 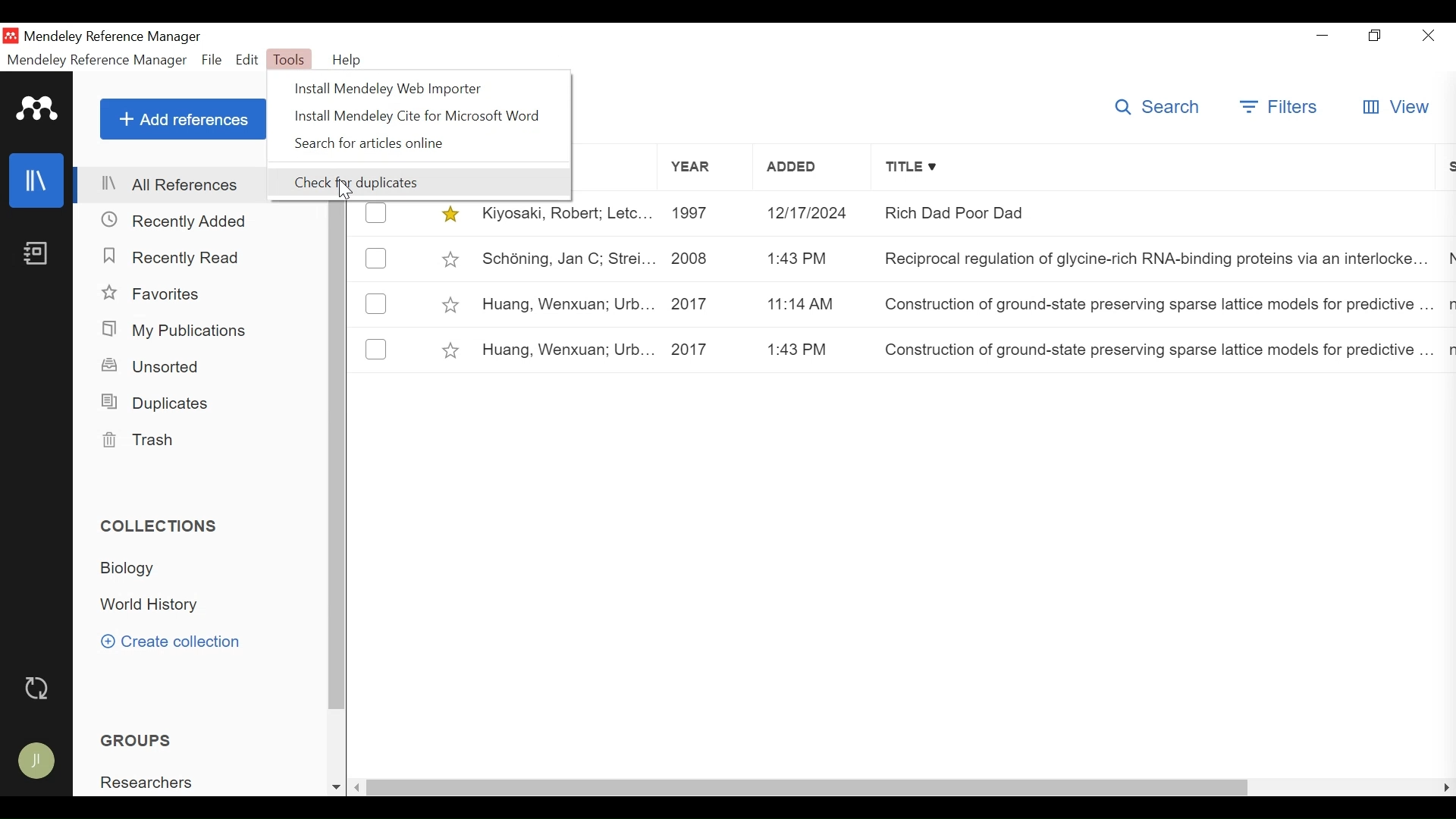 I want to click on Add References, so click(x=184, y=120).